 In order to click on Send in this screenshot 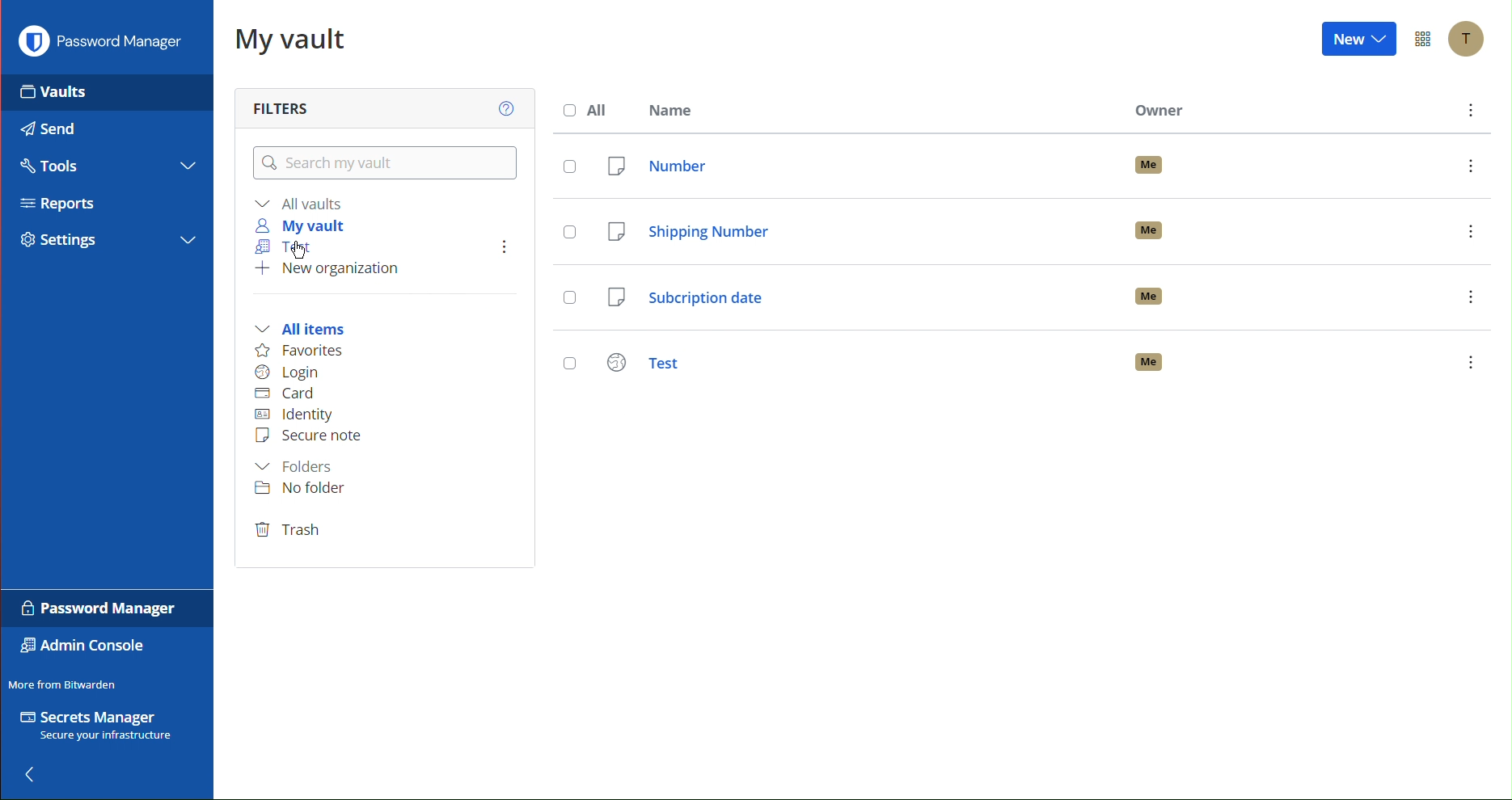, I will do `click(54, 132)`.